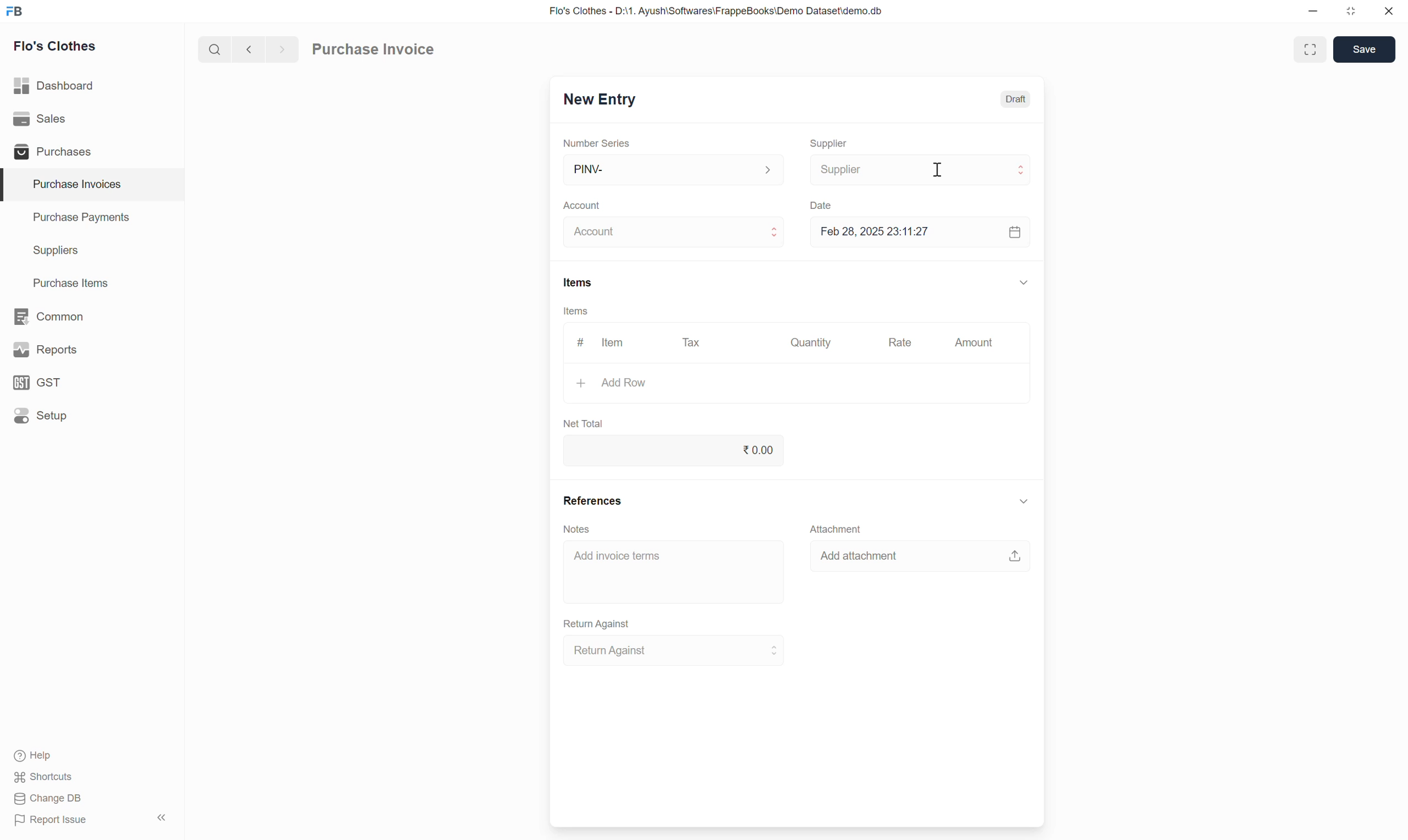 The image size is (1408, 840). What do you see at coordinates (975, 342) in the screenshot?
I see `Amount` at bounding box center [975, 342].